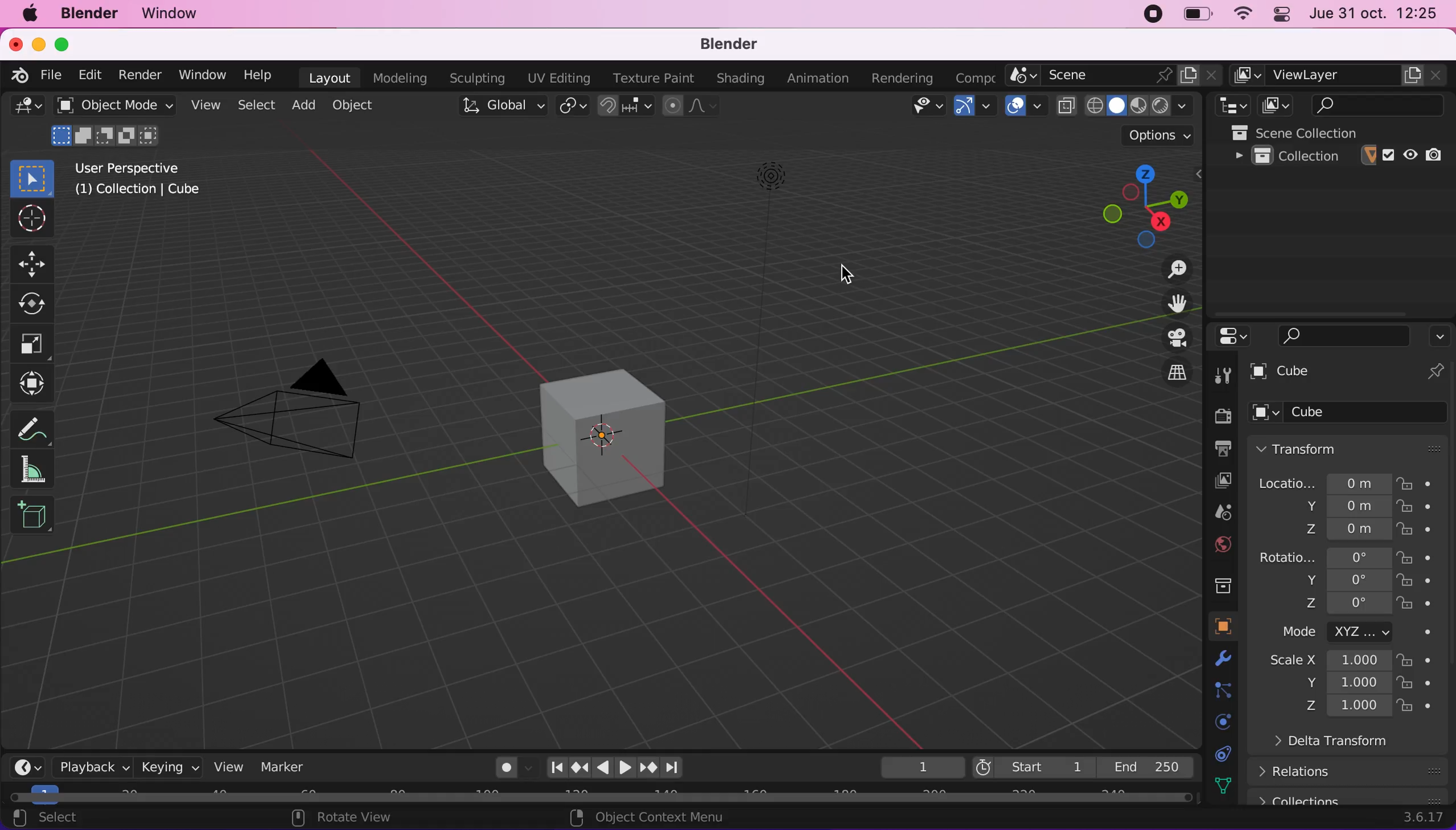  I want to click on select, so click(67, 819).